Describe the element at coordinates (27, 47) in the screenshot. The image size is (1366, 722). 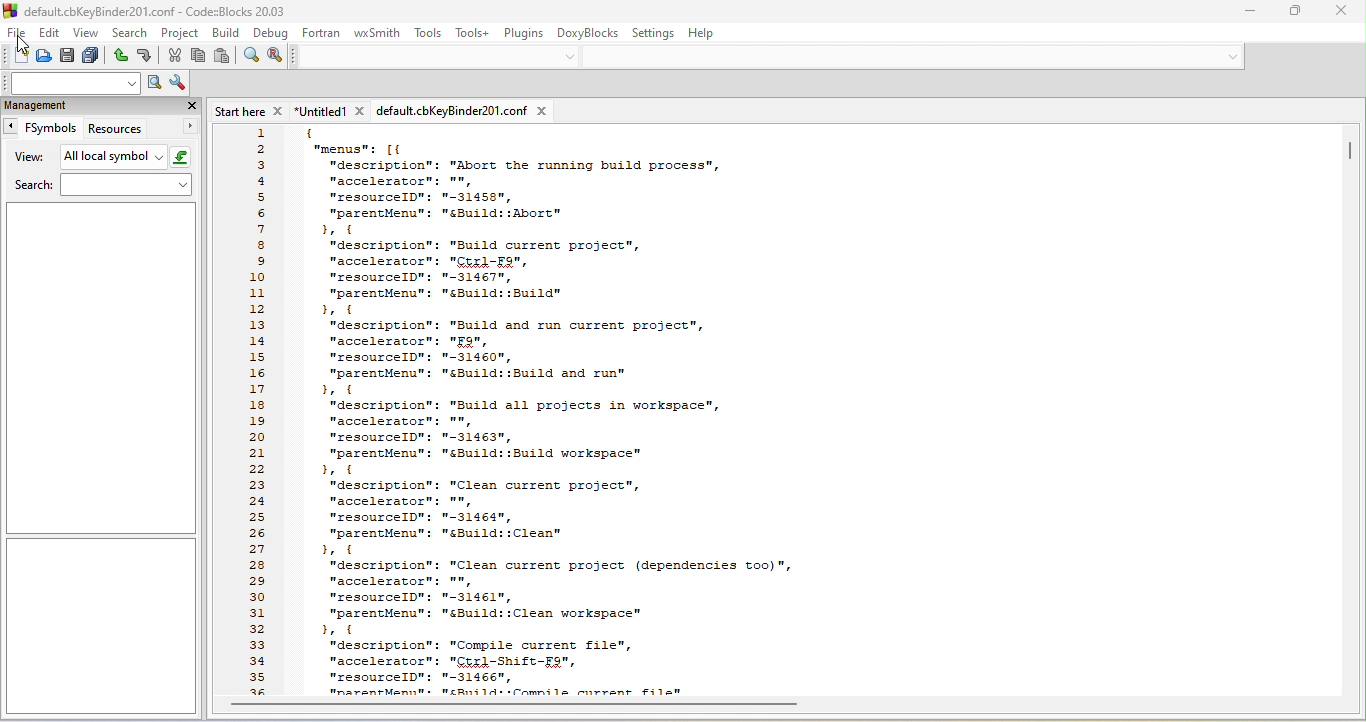
I see `cursor` at that location.